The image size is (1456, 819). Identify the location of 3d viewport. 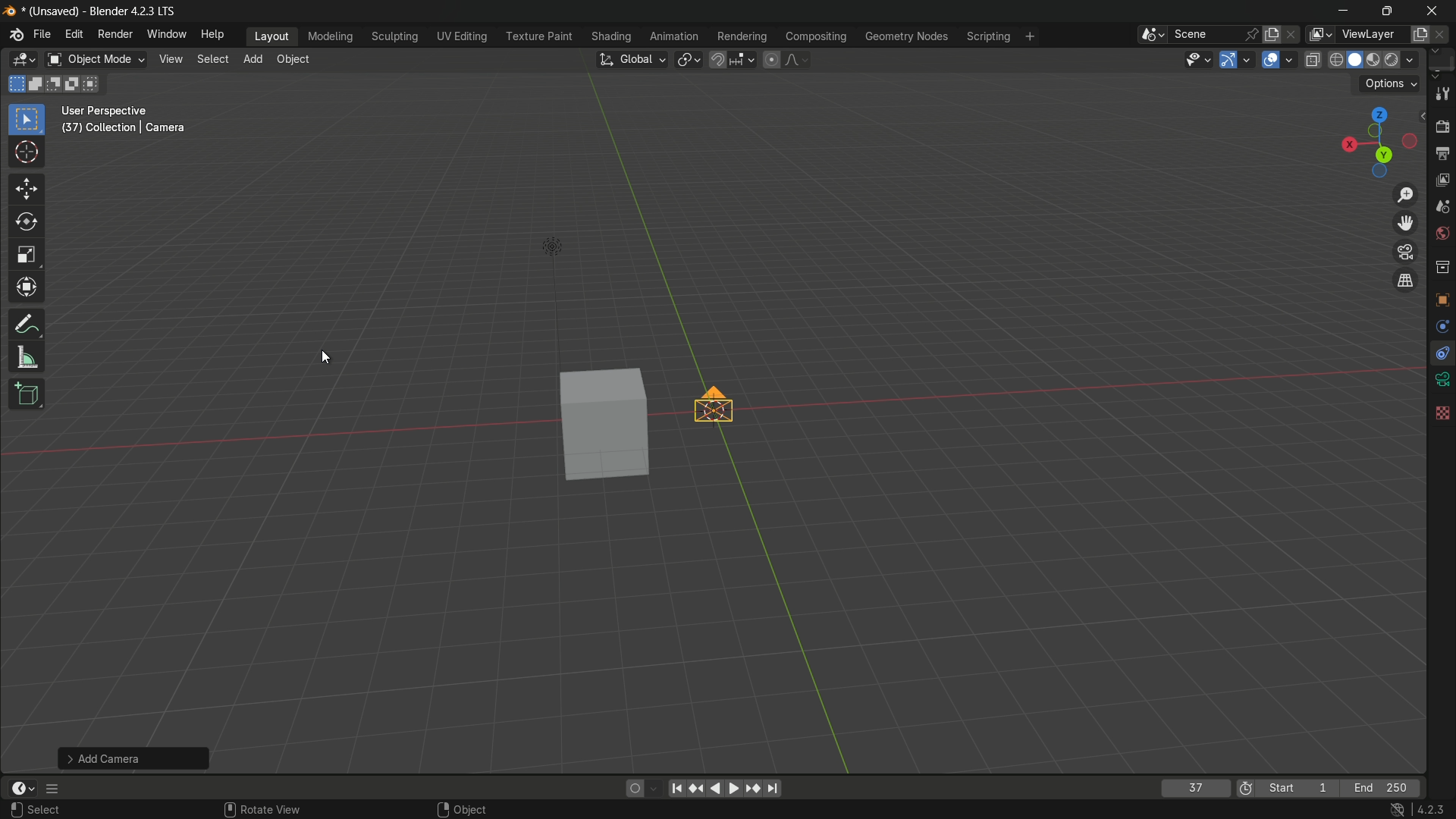
(26, 60).